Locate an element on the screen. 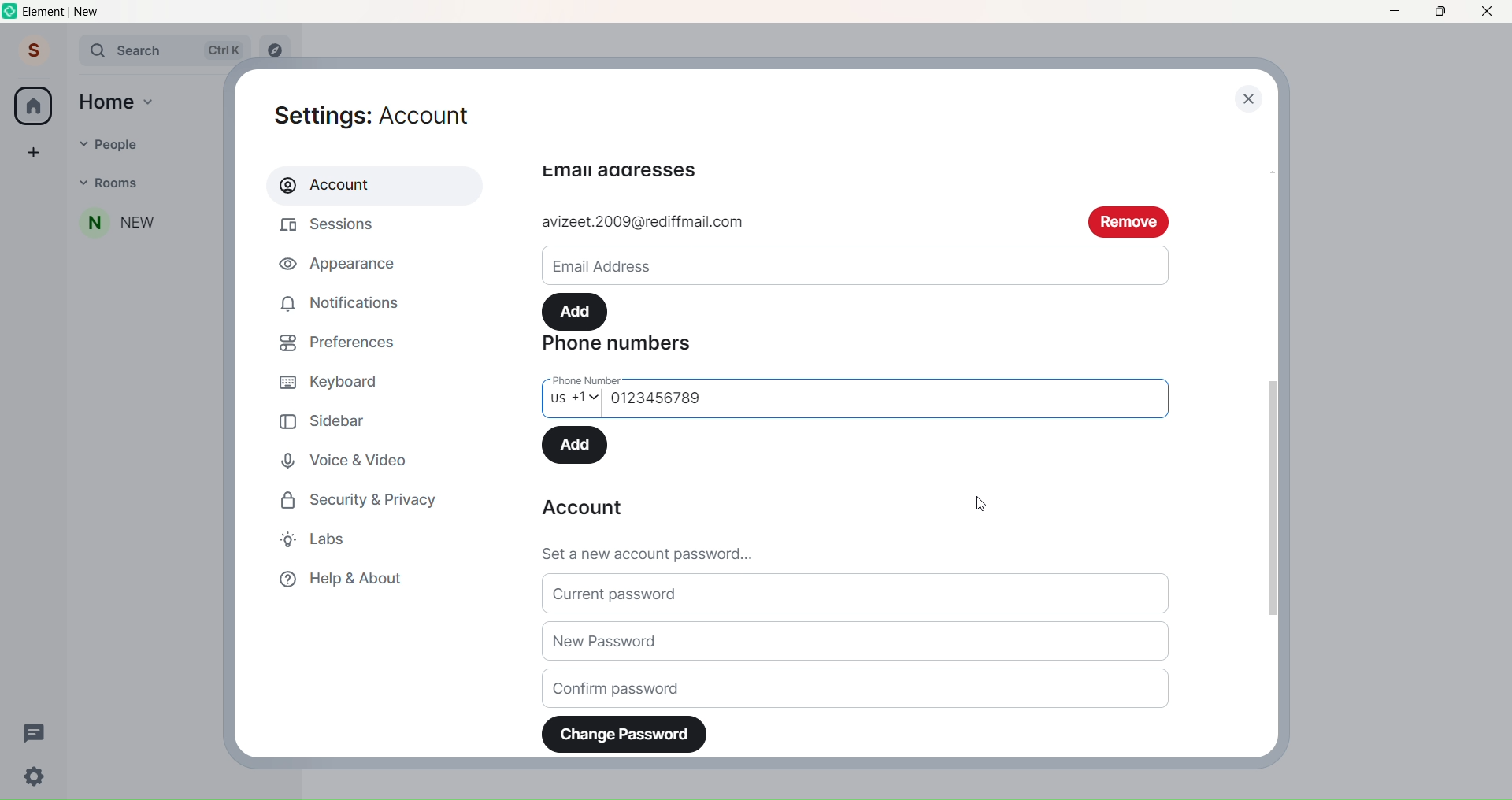 This screenshot has width=1512, height=800. email adressess is located at coordinates (619, 171).